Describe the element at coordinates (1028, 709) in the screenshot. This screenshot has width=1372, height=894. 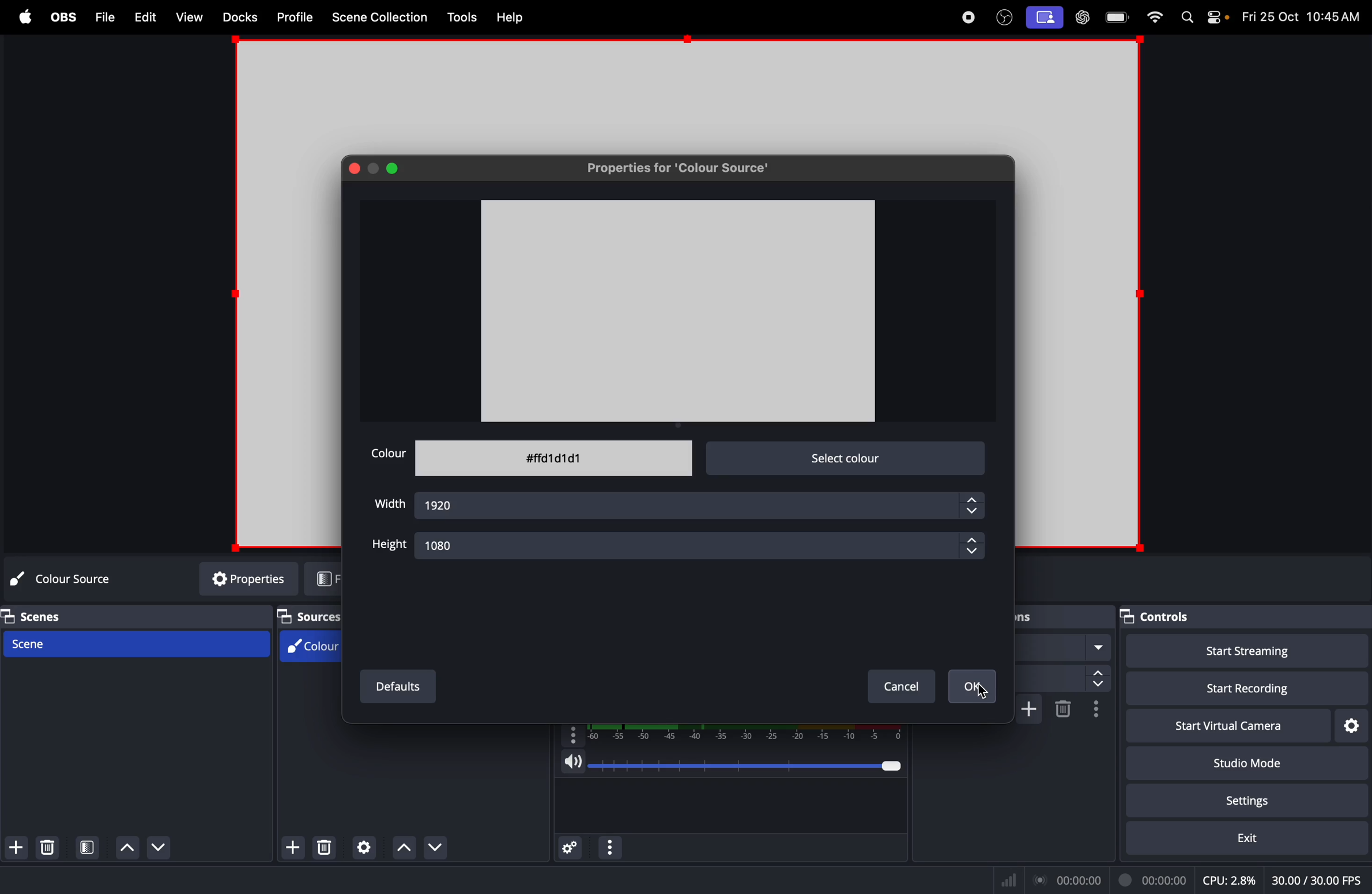
I see `add cofigurable transition` at that location.